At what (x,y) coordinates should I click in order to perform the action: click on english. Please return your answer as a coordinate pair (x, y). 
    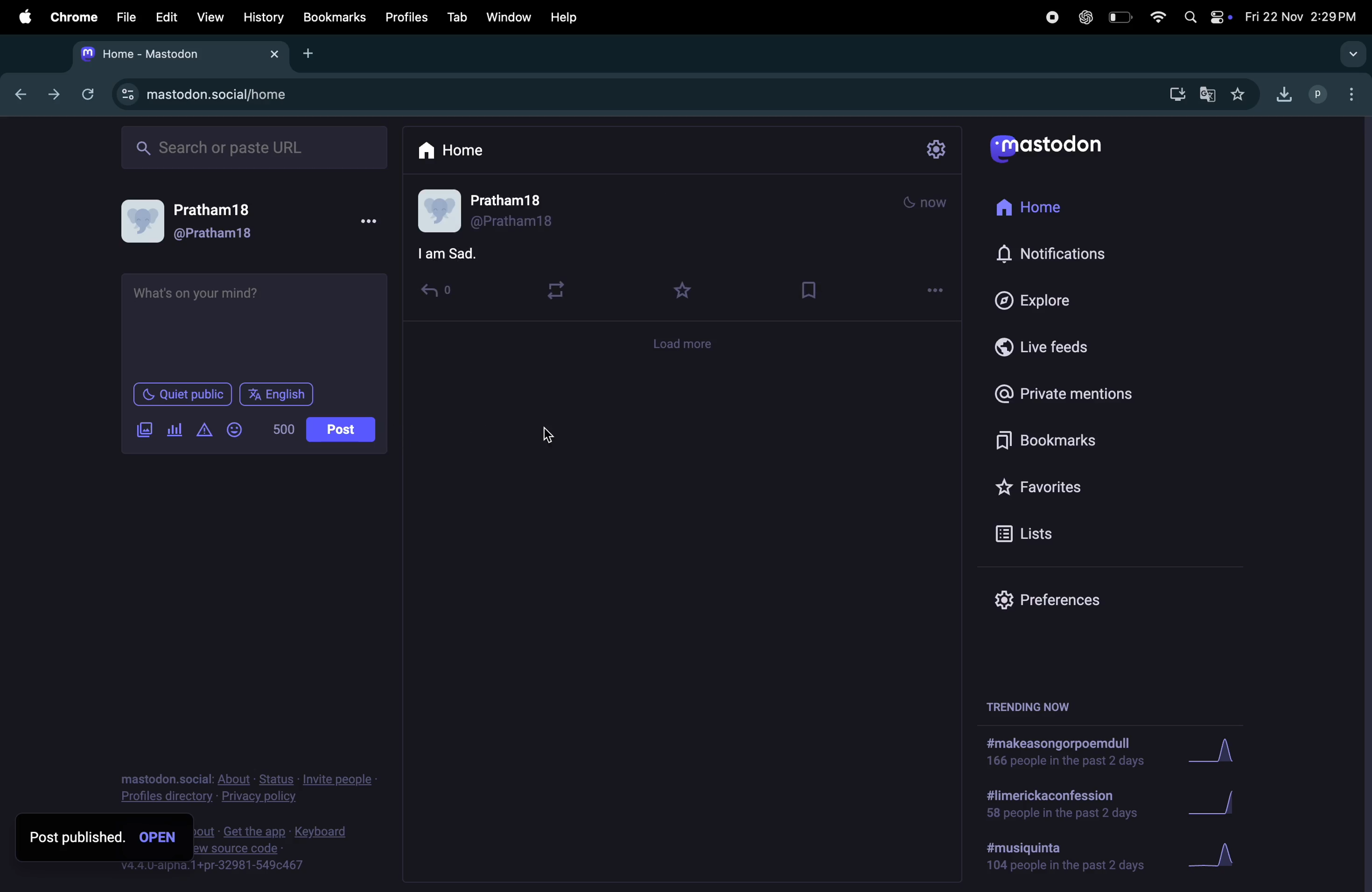
    Looking at the image, I should click on (277, 394).